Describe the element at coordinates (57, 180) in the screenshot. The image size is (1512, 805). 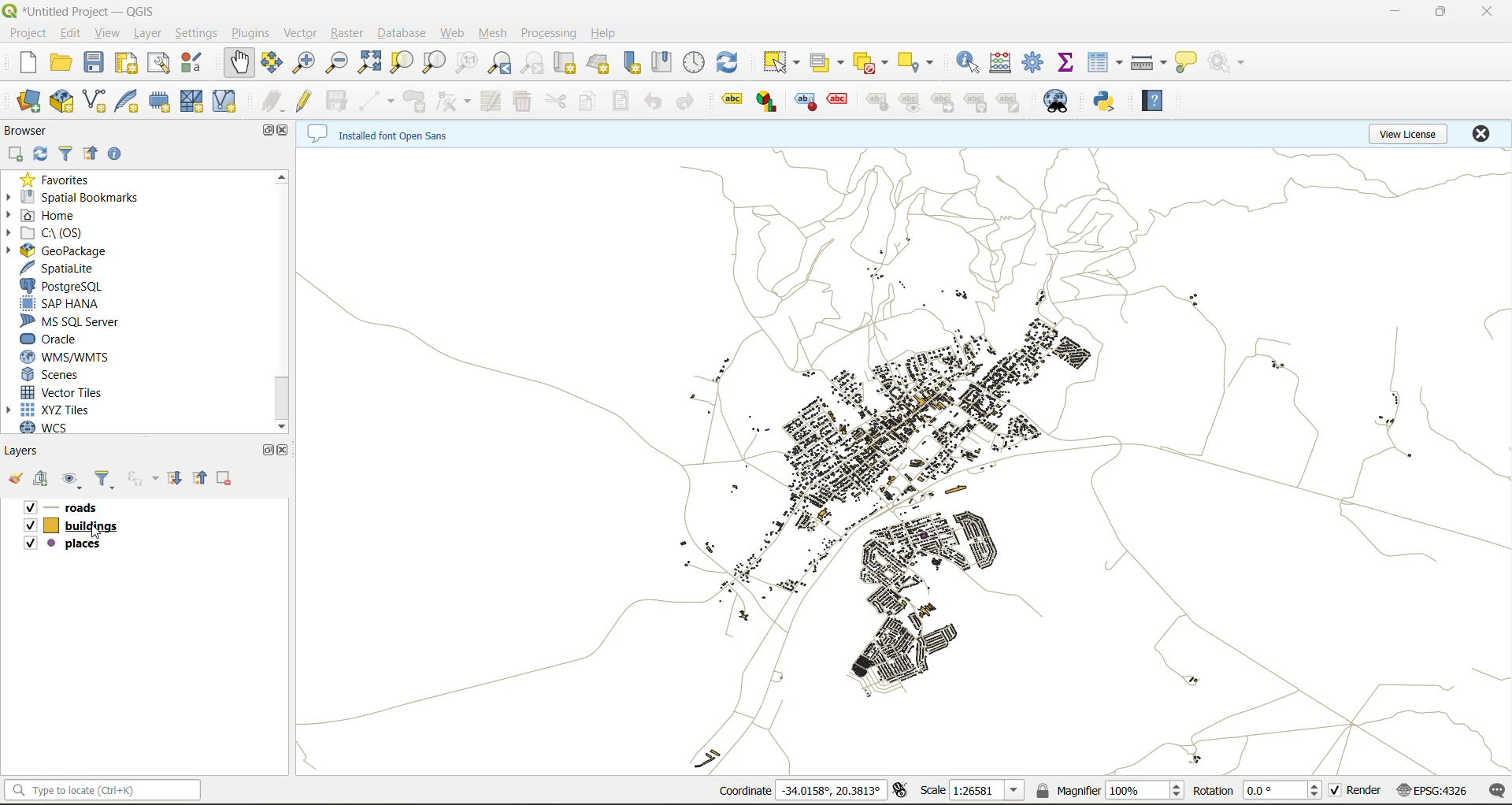
I see `favorites` at that location.